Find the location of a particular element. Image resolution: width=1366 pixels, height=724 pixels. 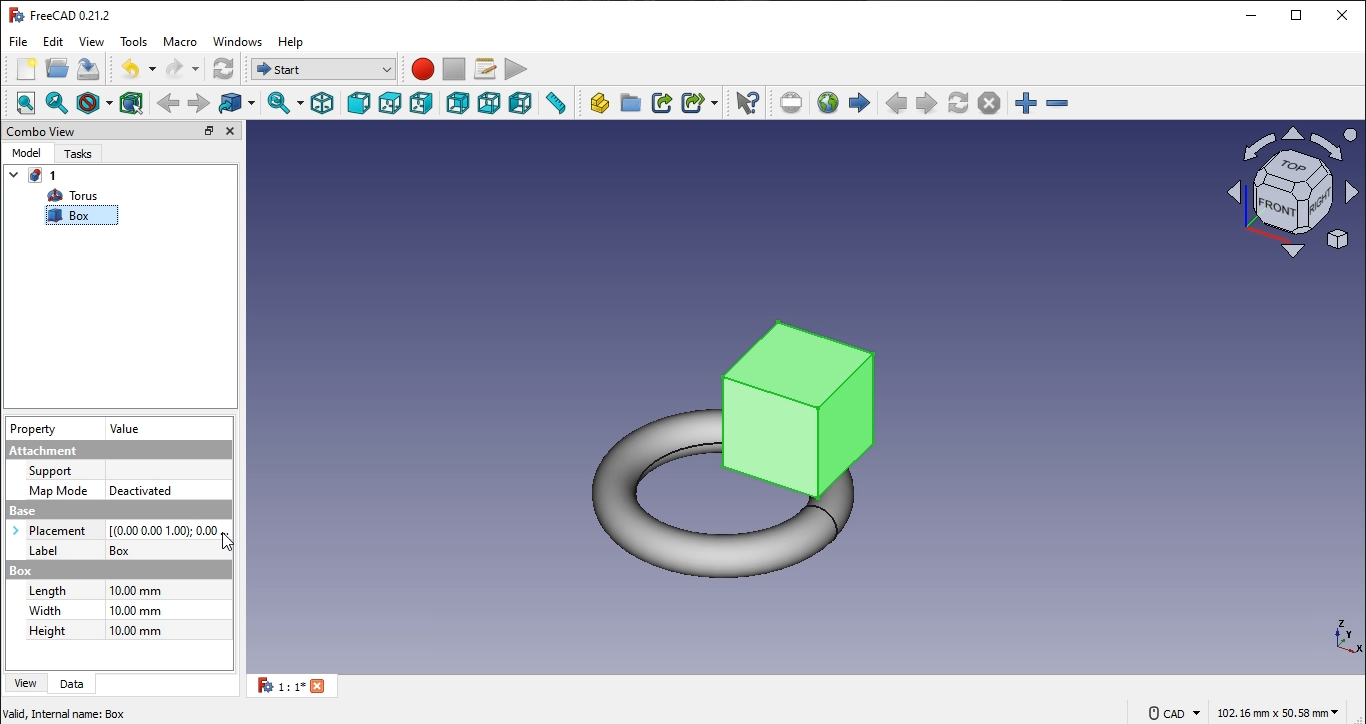

make sublink is located at coordinates (700, 102).